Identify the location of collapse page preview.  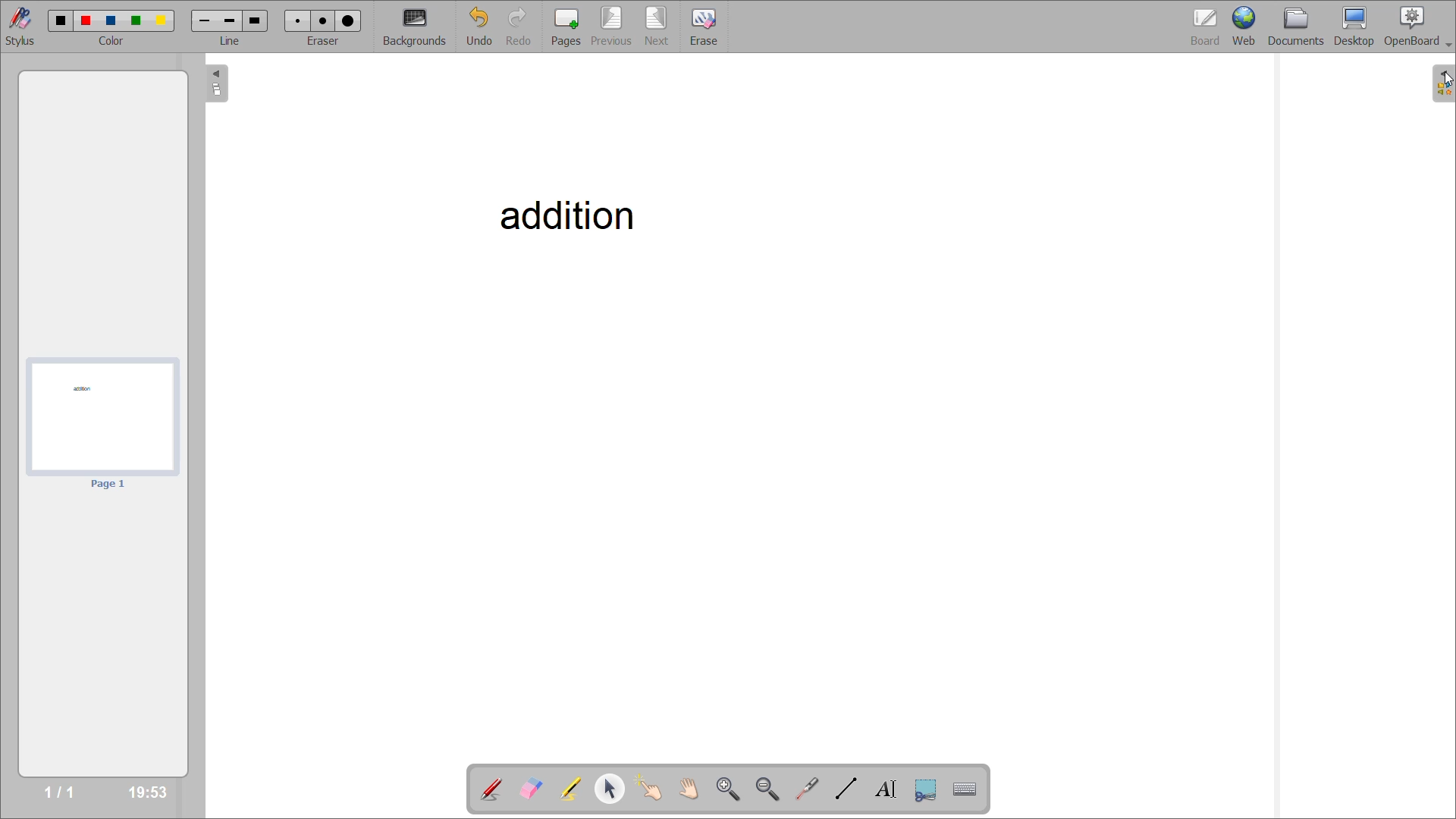
(218, 83).